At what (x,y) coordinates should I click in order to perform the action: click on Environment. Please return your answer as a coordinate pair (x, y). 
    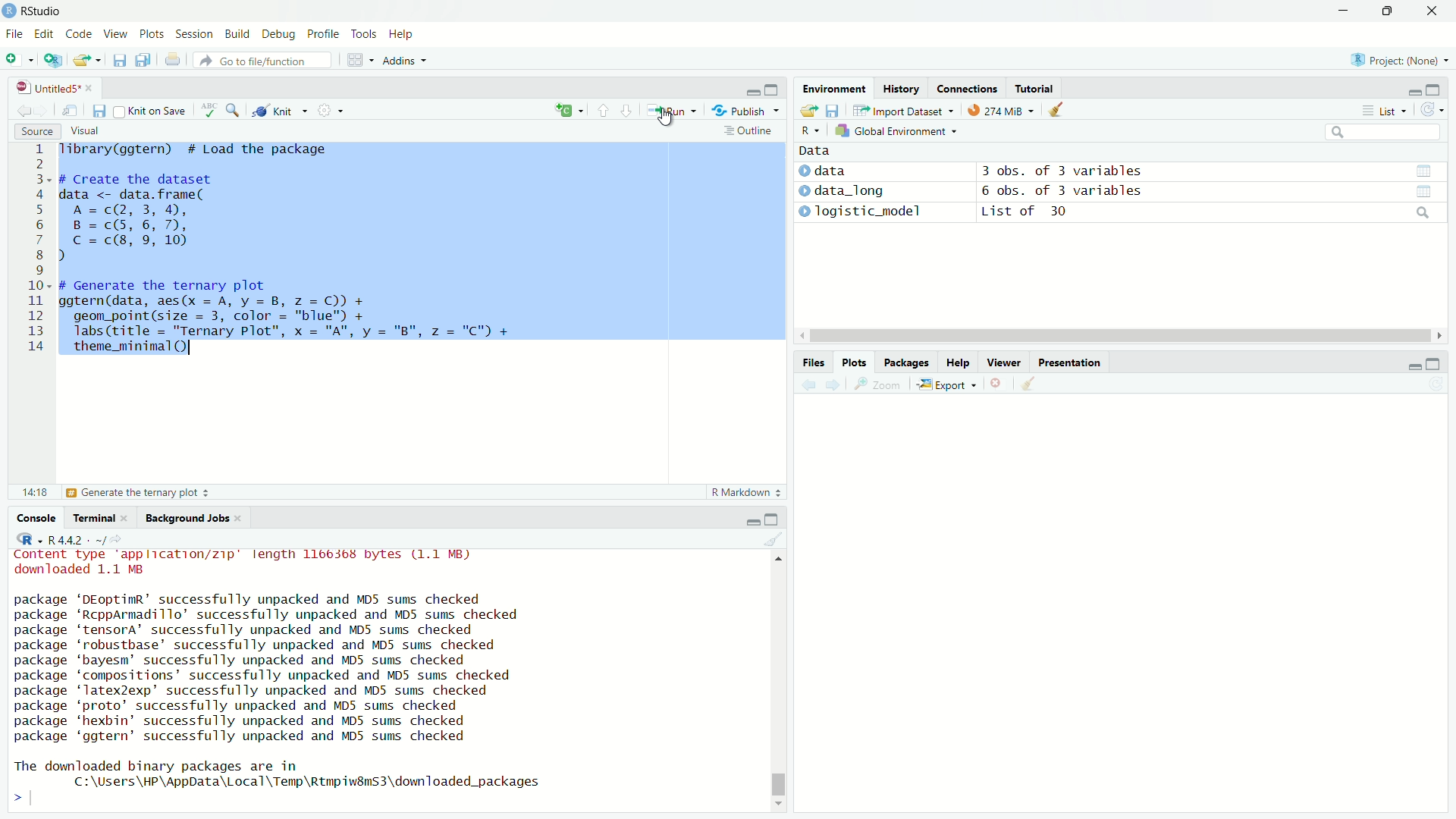
    Looking at the image, I should click on (828, 91).